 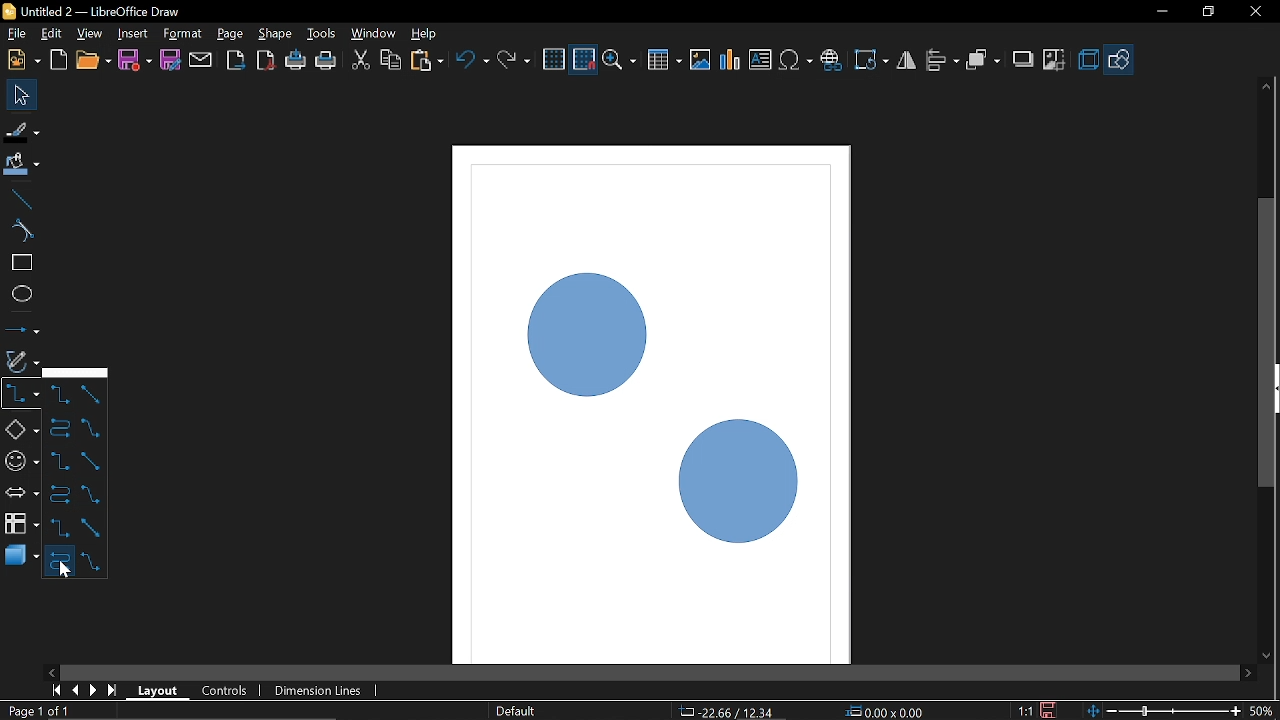 I want to click on CUt , so click(x=361, y=60).